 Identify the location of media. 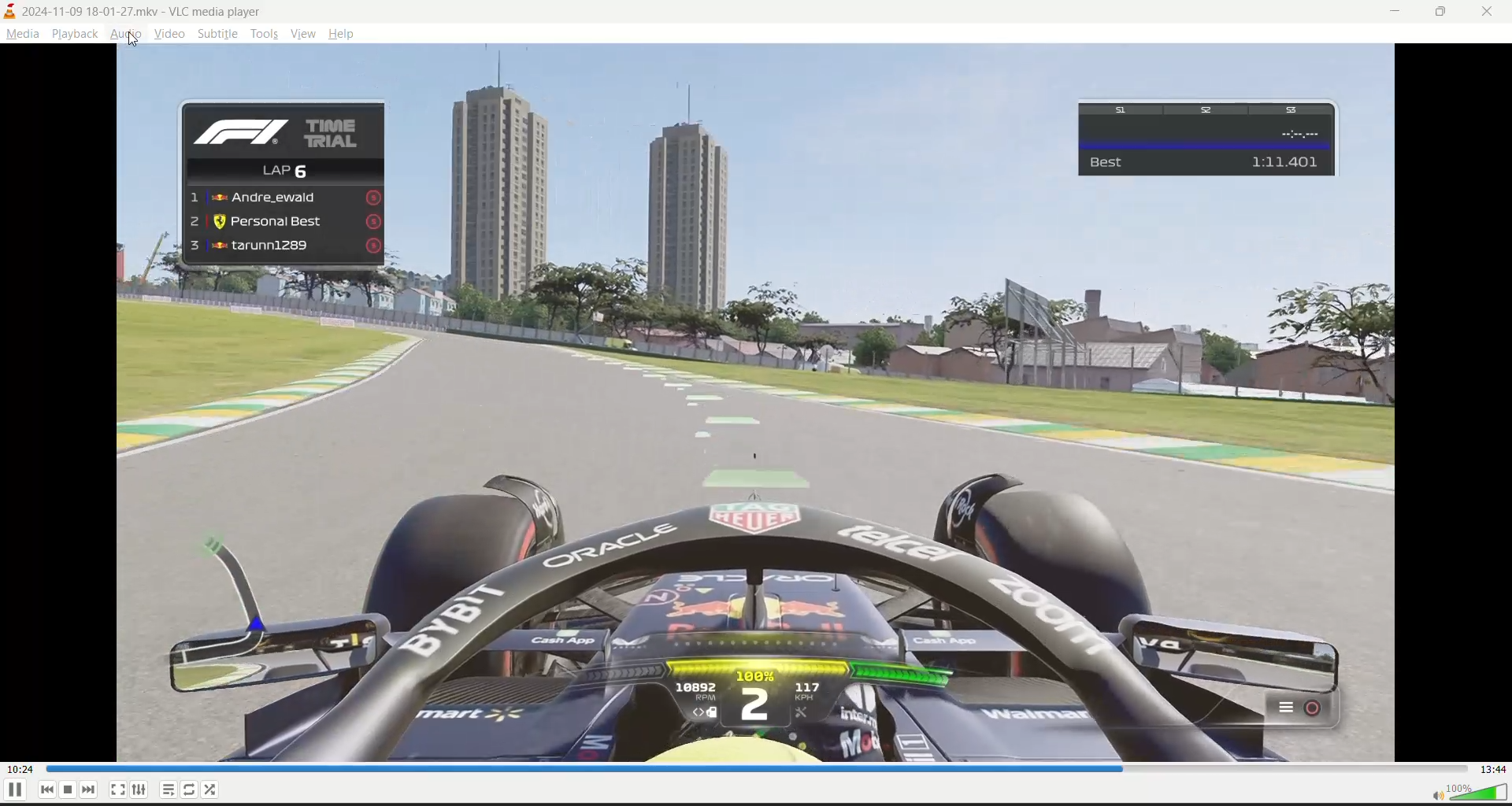
(22, 35).